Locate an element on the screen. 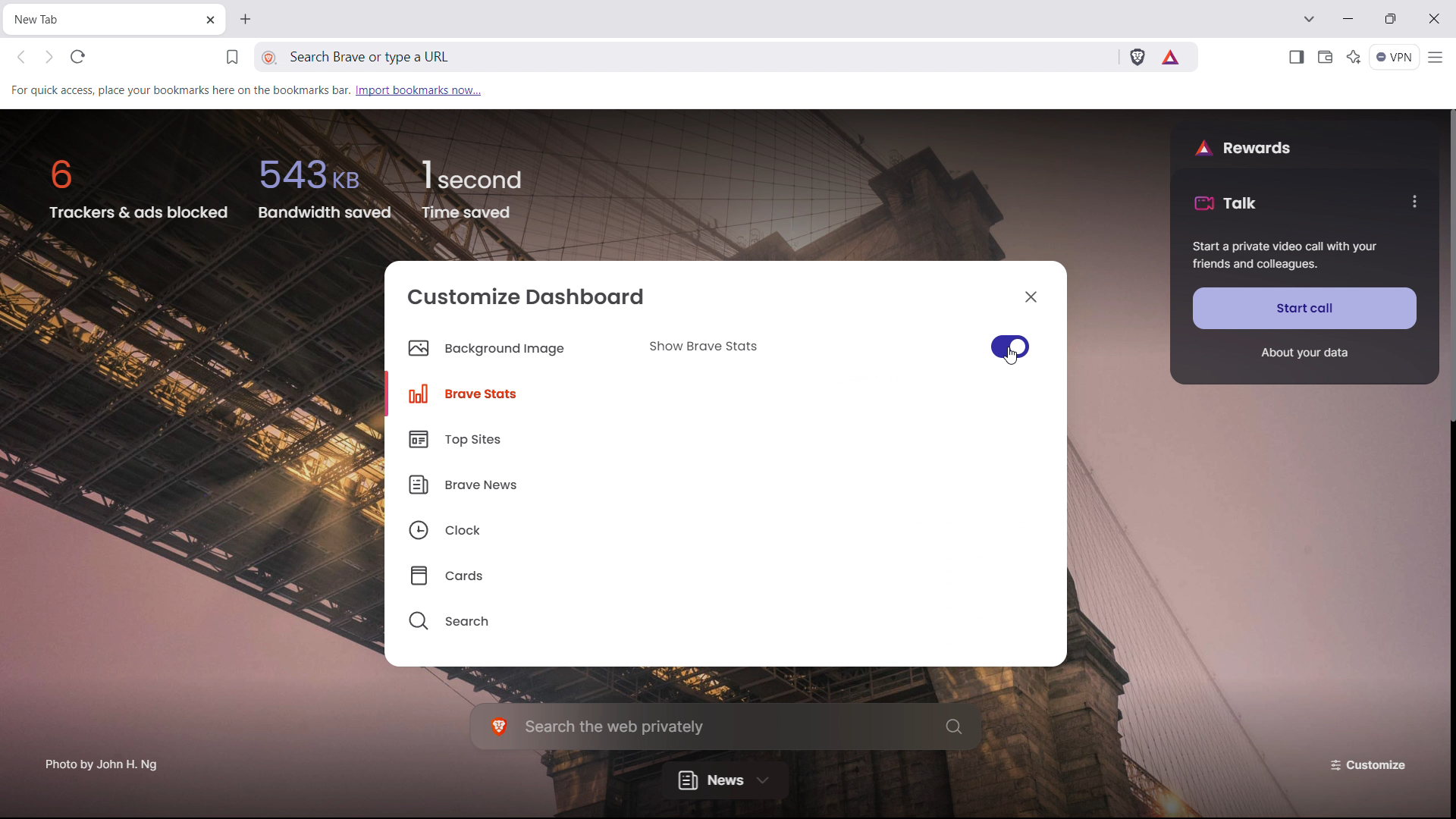 The image size is (1456, 819). brave rewards is located at coordinates (1172, 57).